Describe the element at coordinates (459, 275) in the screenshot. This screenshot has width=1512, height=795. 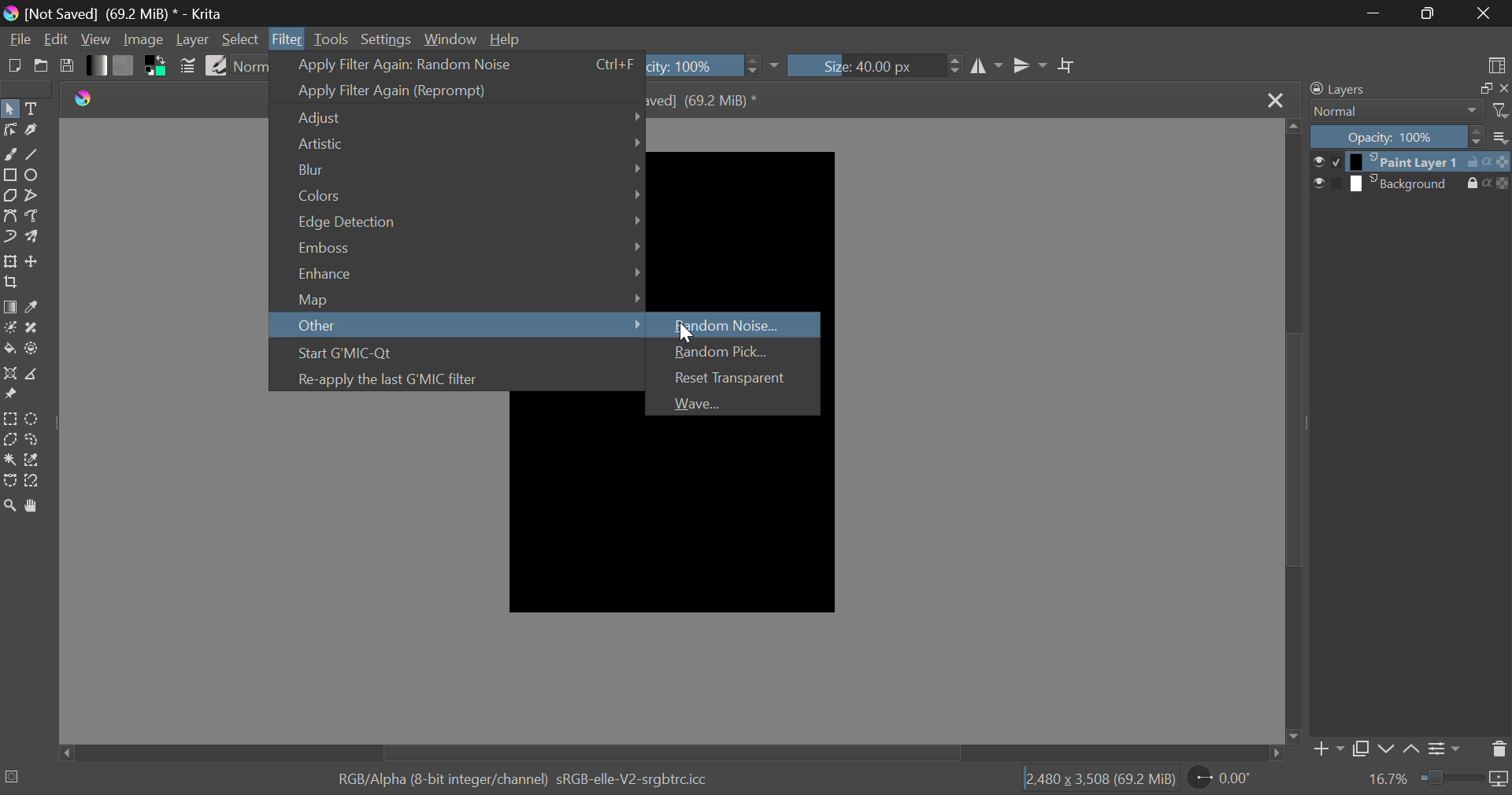
I see `Enhance` at that location.